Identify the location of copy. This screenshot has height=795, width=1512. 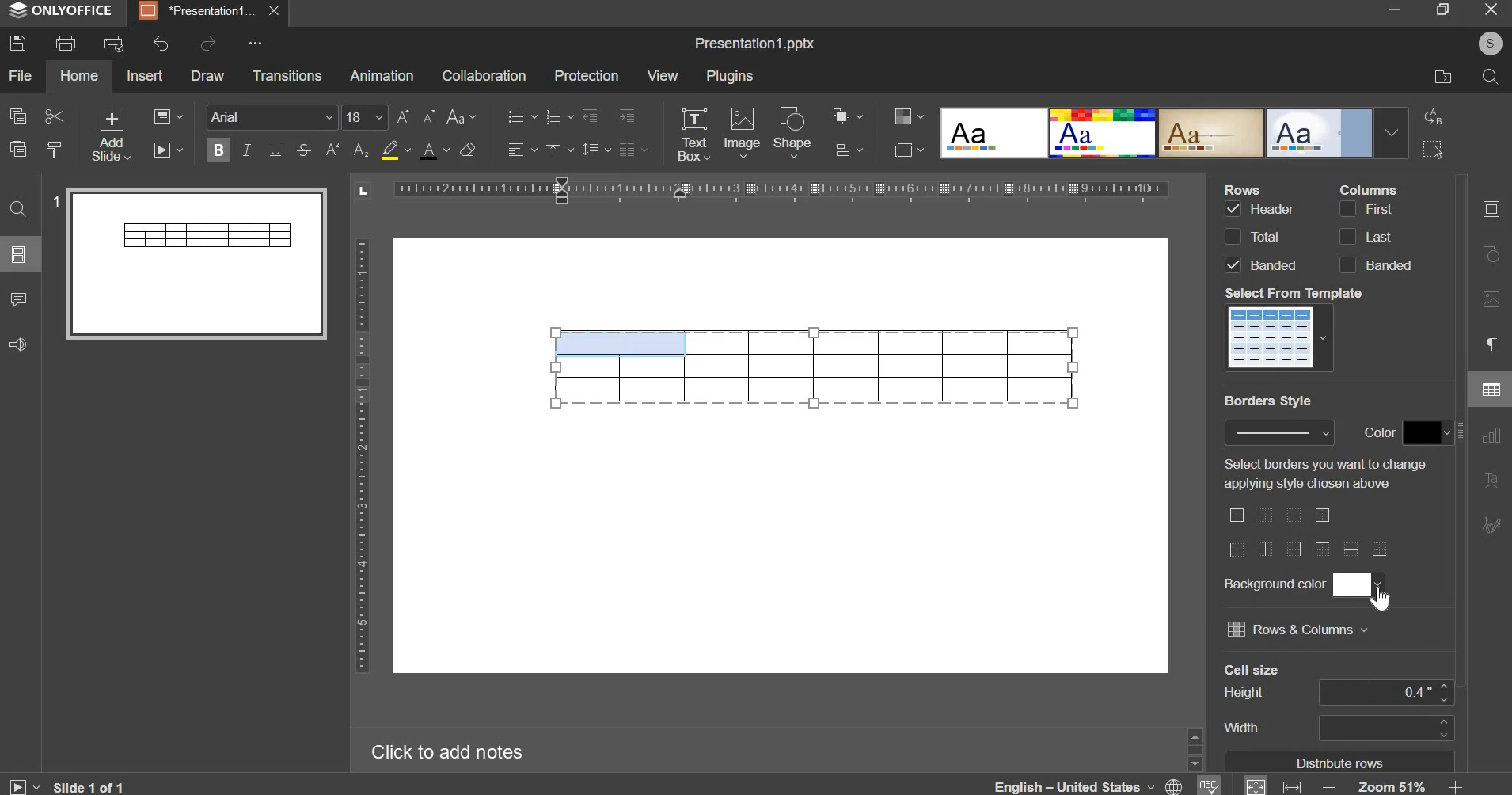
(18, 115).